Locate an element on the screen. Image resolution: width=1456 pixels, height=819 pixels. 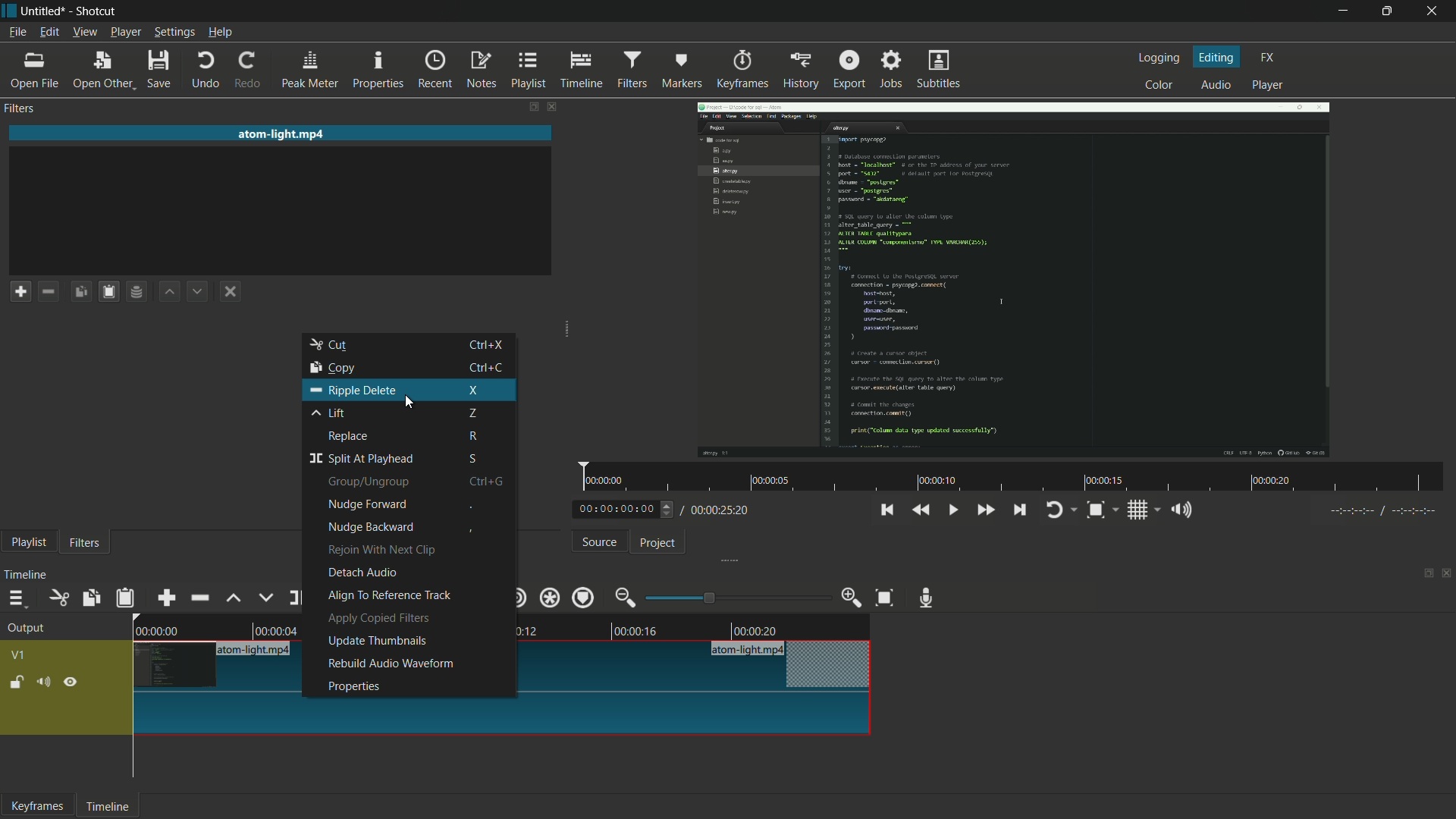
zoom timeline to fit is located at coordinates (1094, 510).